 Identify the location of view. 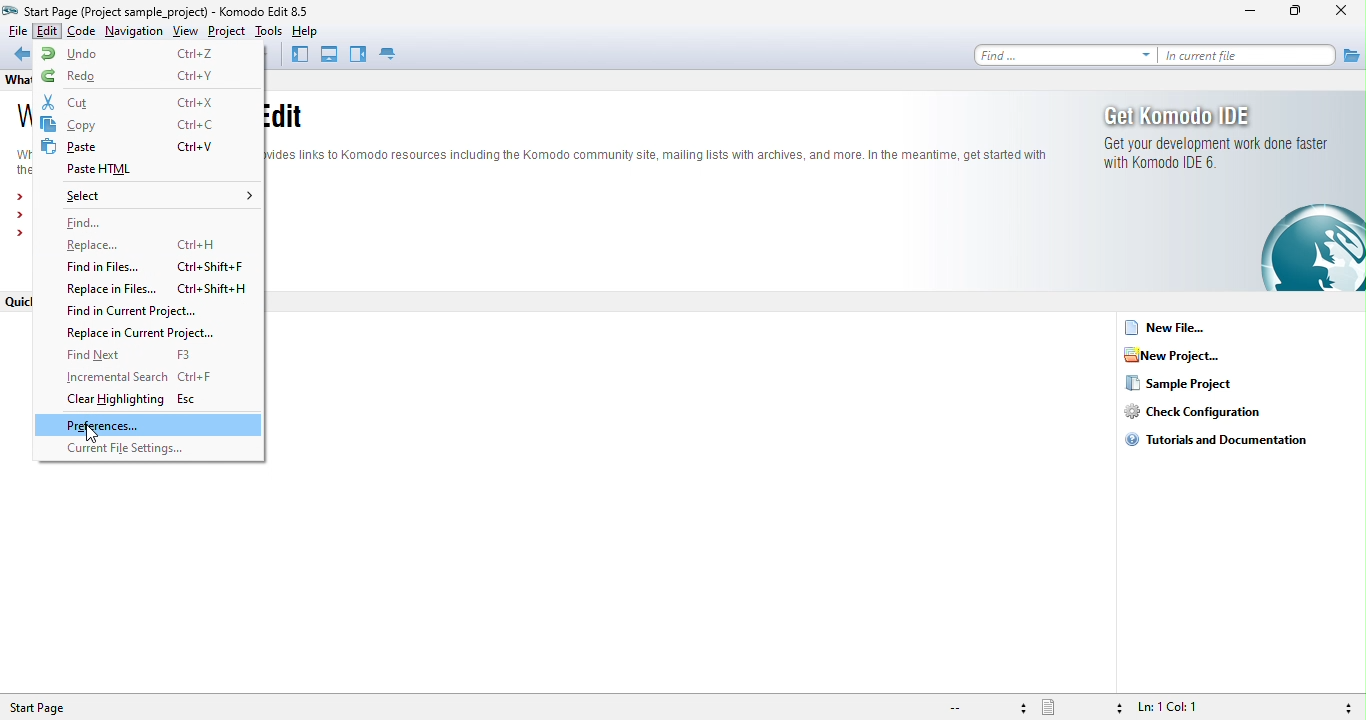
(186, 31).